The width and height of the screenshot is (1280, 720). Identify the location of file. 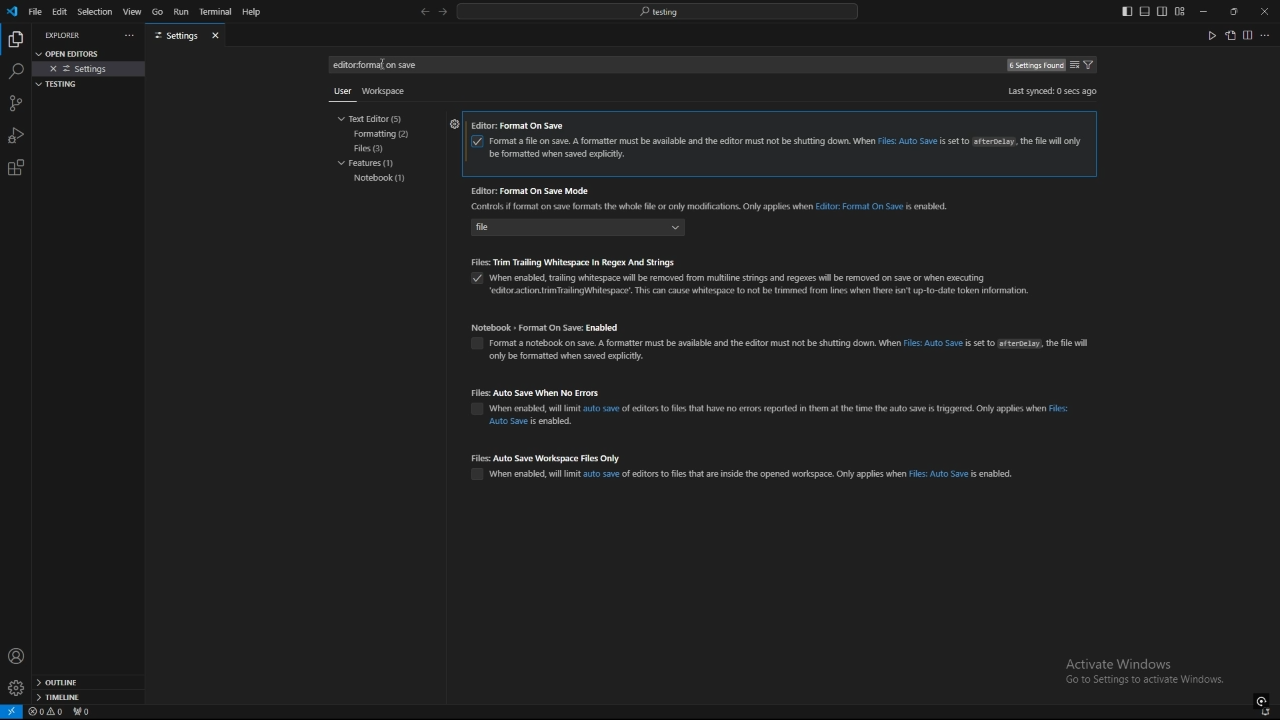
(35, 11).